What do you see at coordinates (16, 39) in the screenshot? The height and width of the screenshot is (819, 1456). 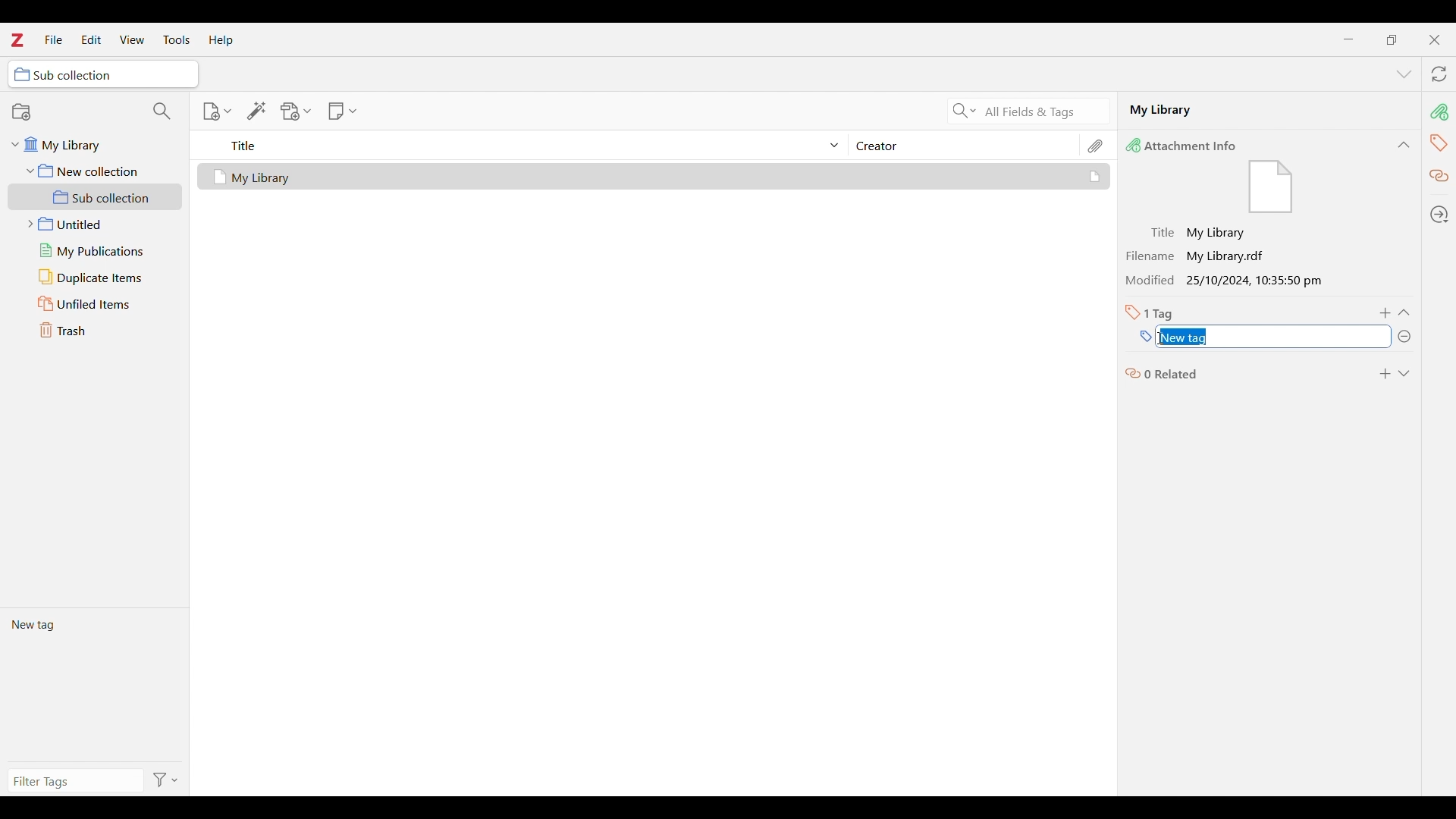 I see `Software logo` at bounding box center [16, 39].